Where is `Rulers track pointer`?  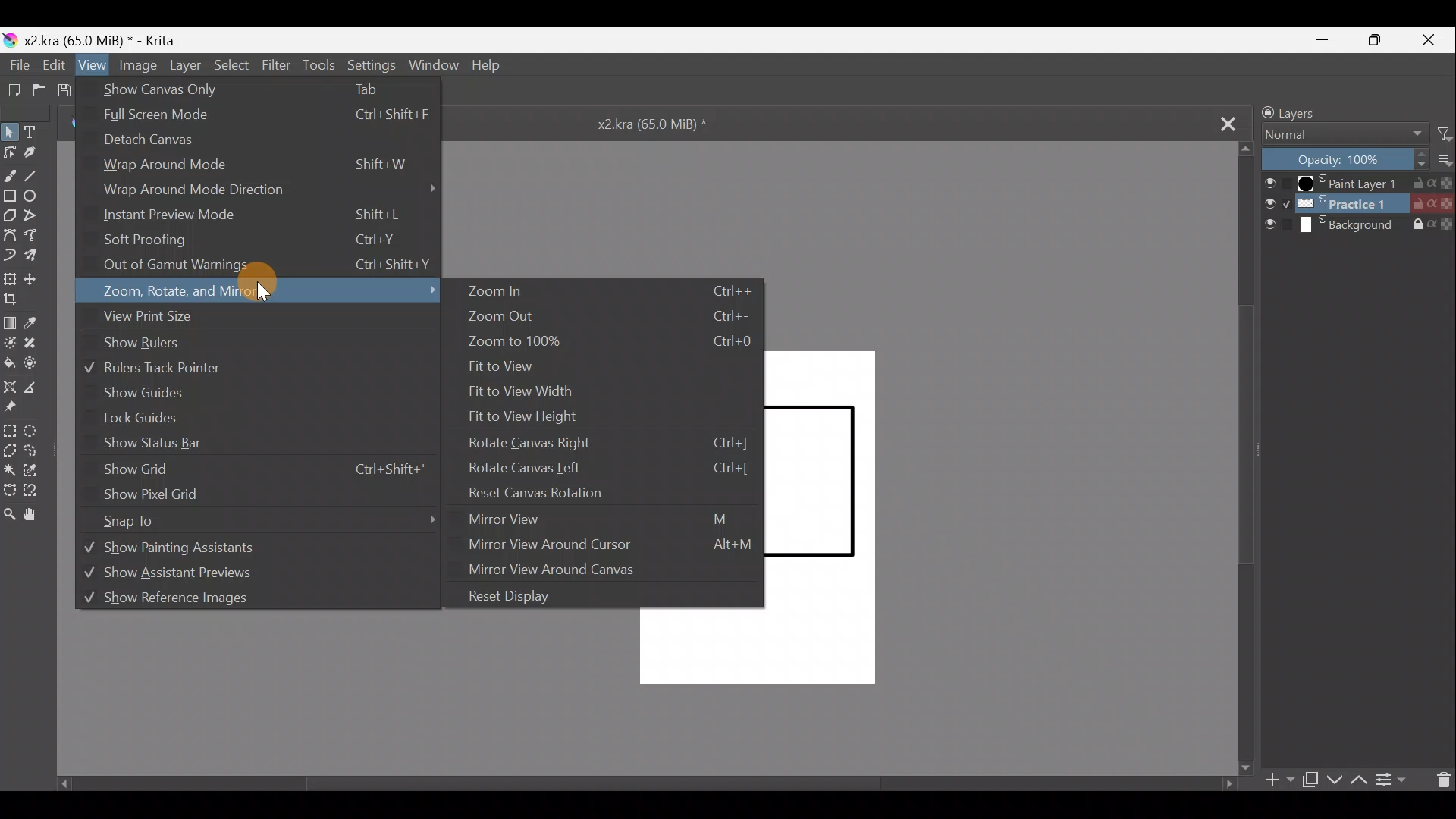
Rulers track pointer is located at coordinates (176, 368).